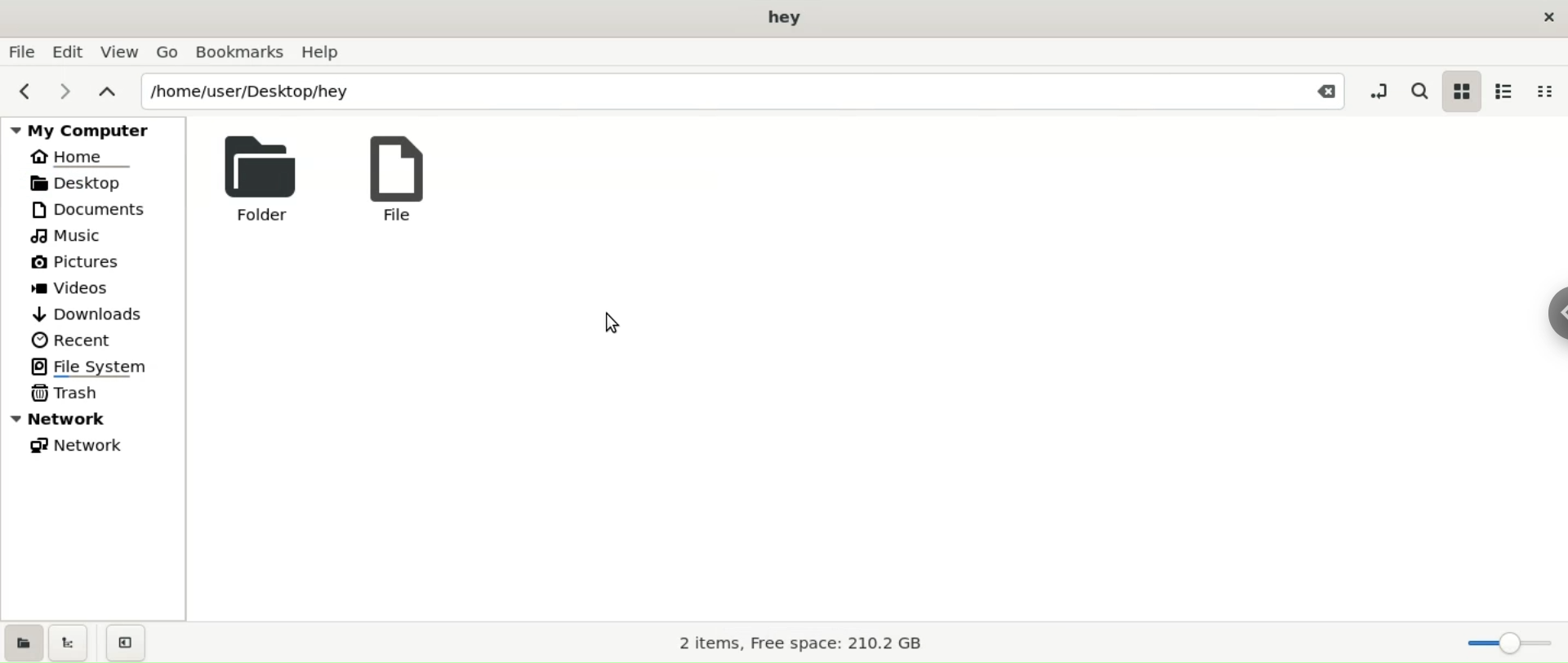  I want to click on file, so click(406, 184).